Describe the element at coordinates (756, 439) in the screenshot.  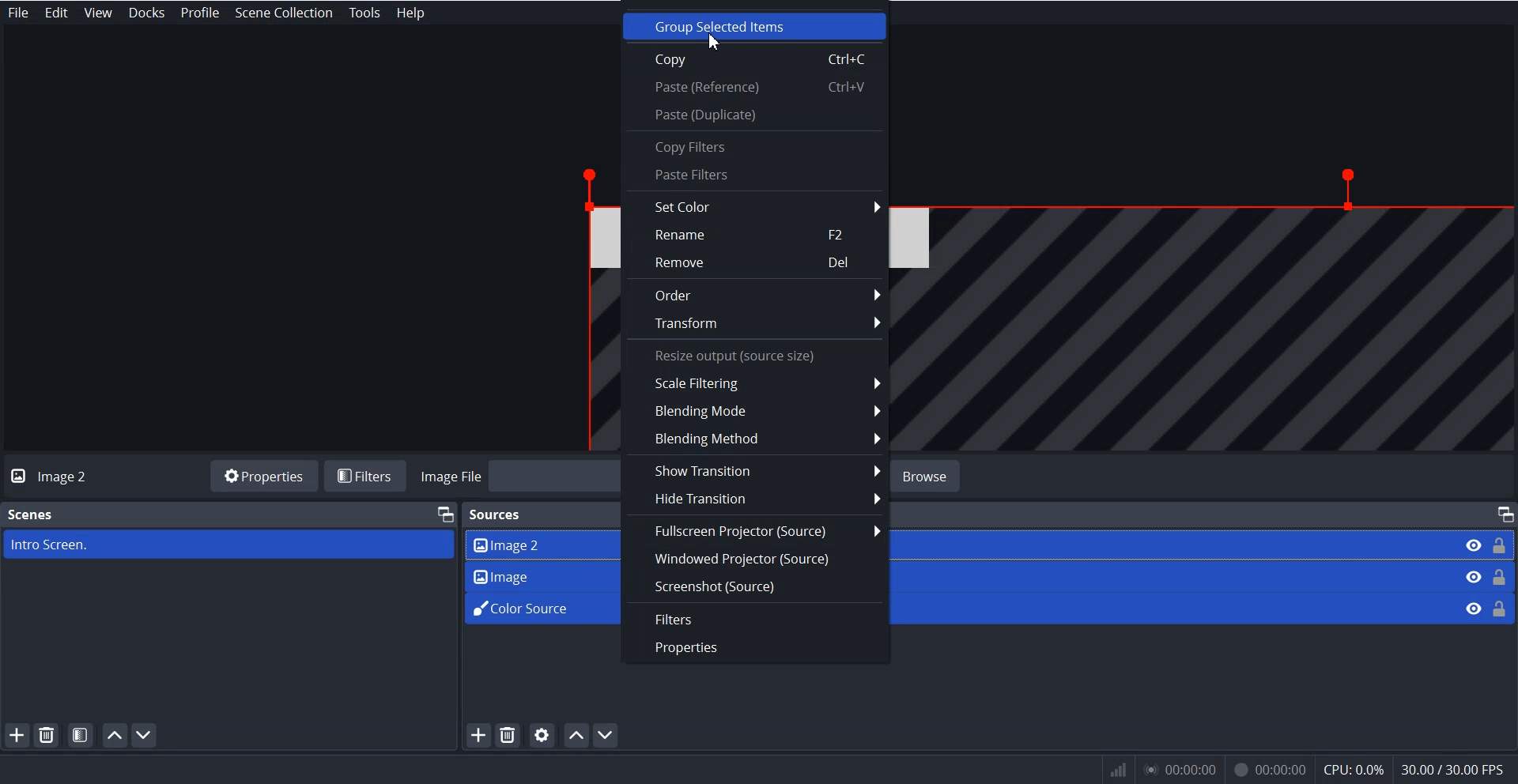
I see `Blending Method` at that location.